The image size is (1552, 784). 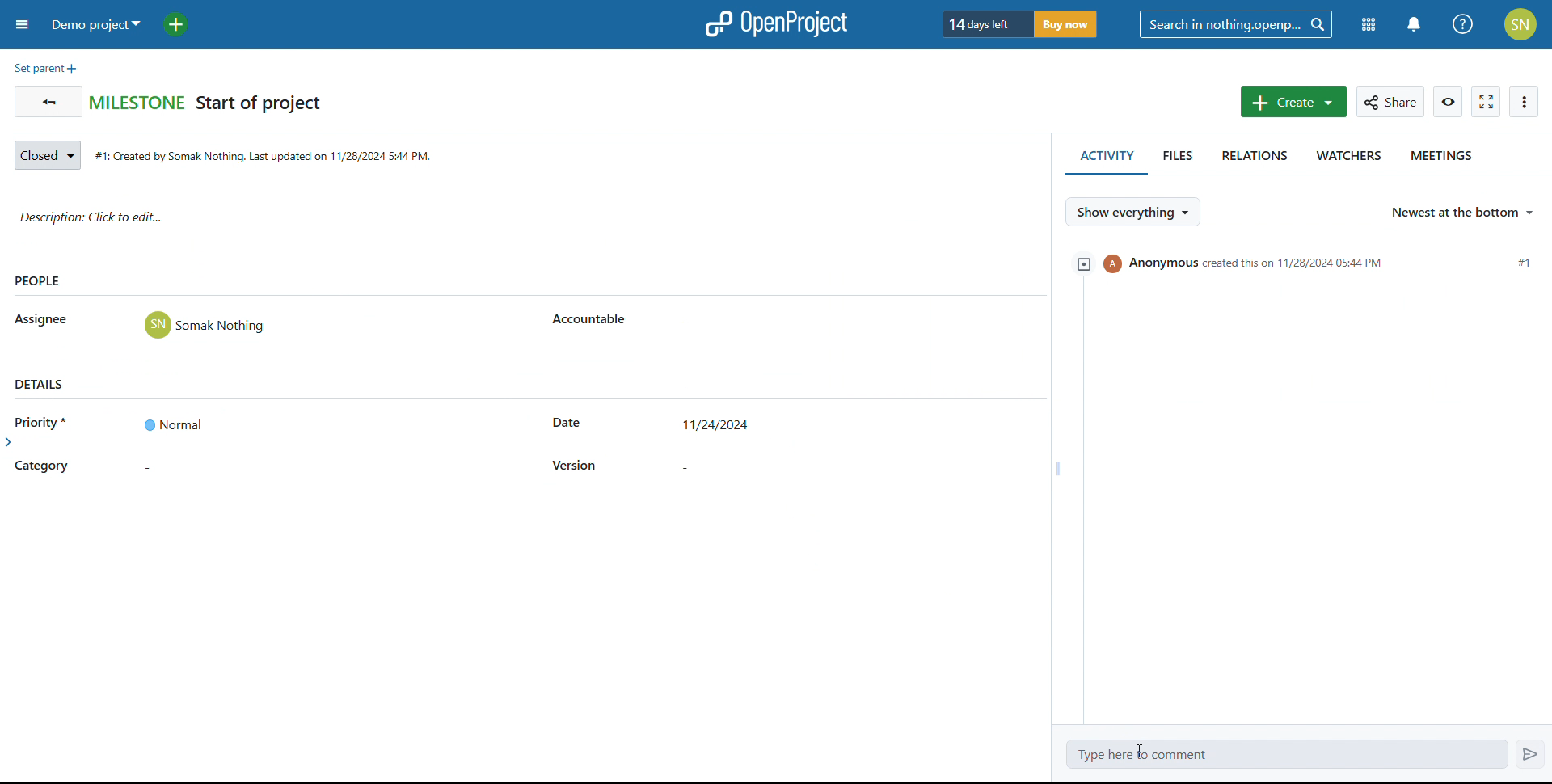 What do you see at coordinates (268, 157) in the screenshot?
I see `creation date` at bounding box center [268, 157].